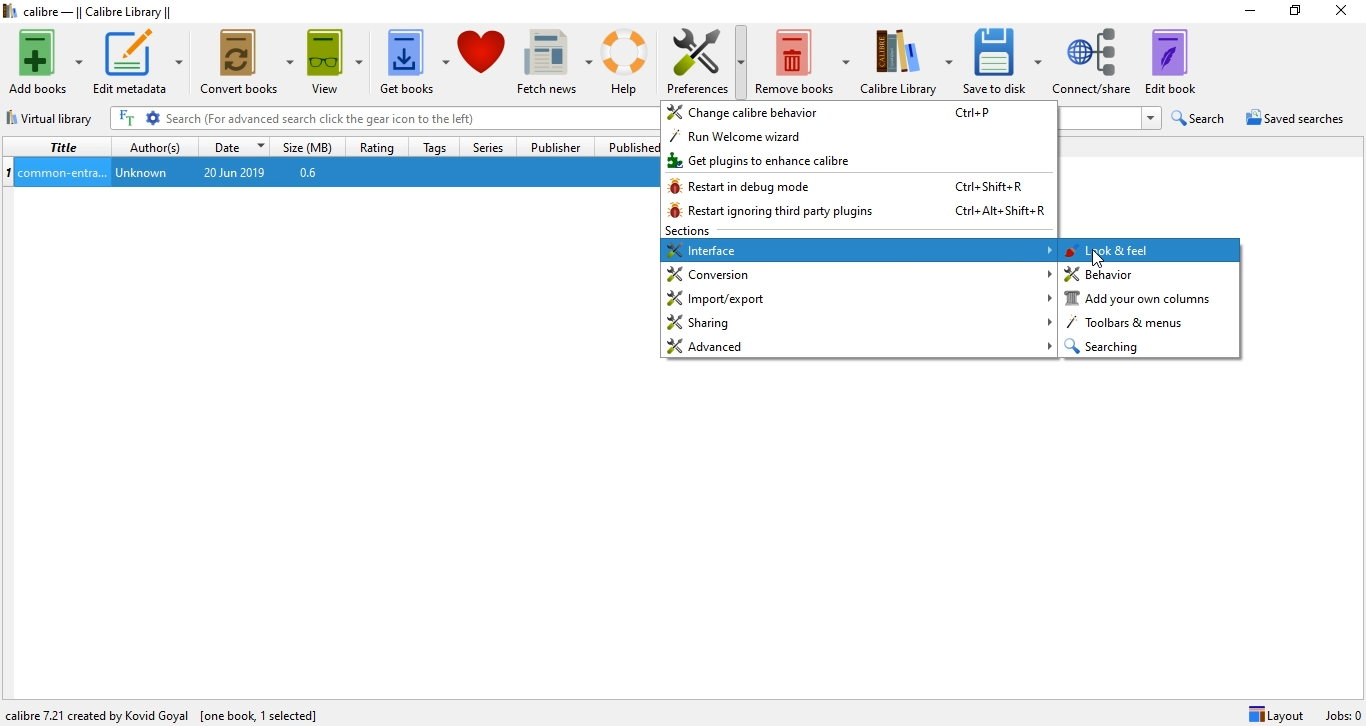 Image resolution: width=1366 pixels, height=726 pixels. I want to click on Series, so click(485, 145).